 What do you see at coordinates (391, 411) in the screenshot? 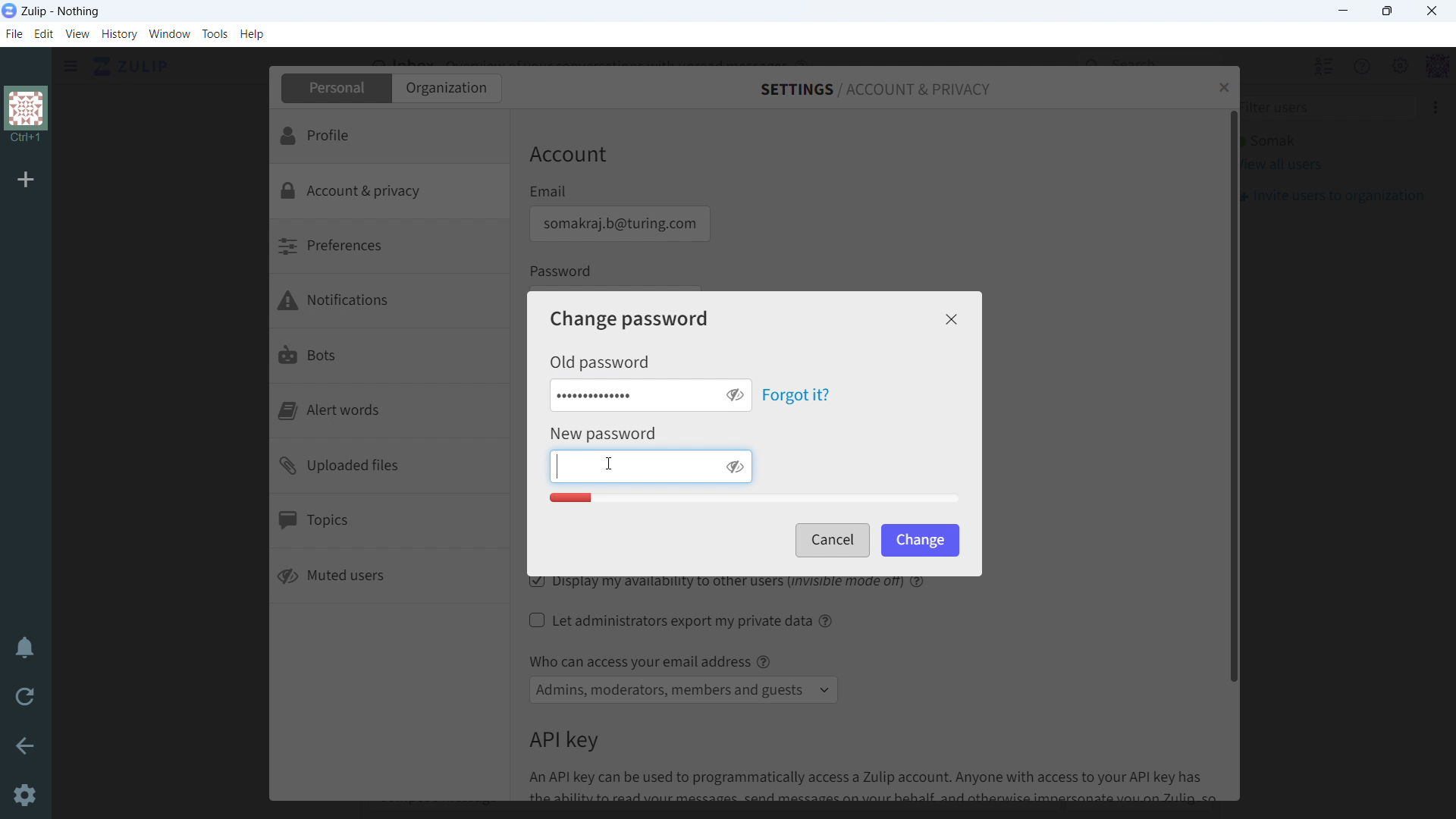
I see `alert words` at bounding box center [391, 411].